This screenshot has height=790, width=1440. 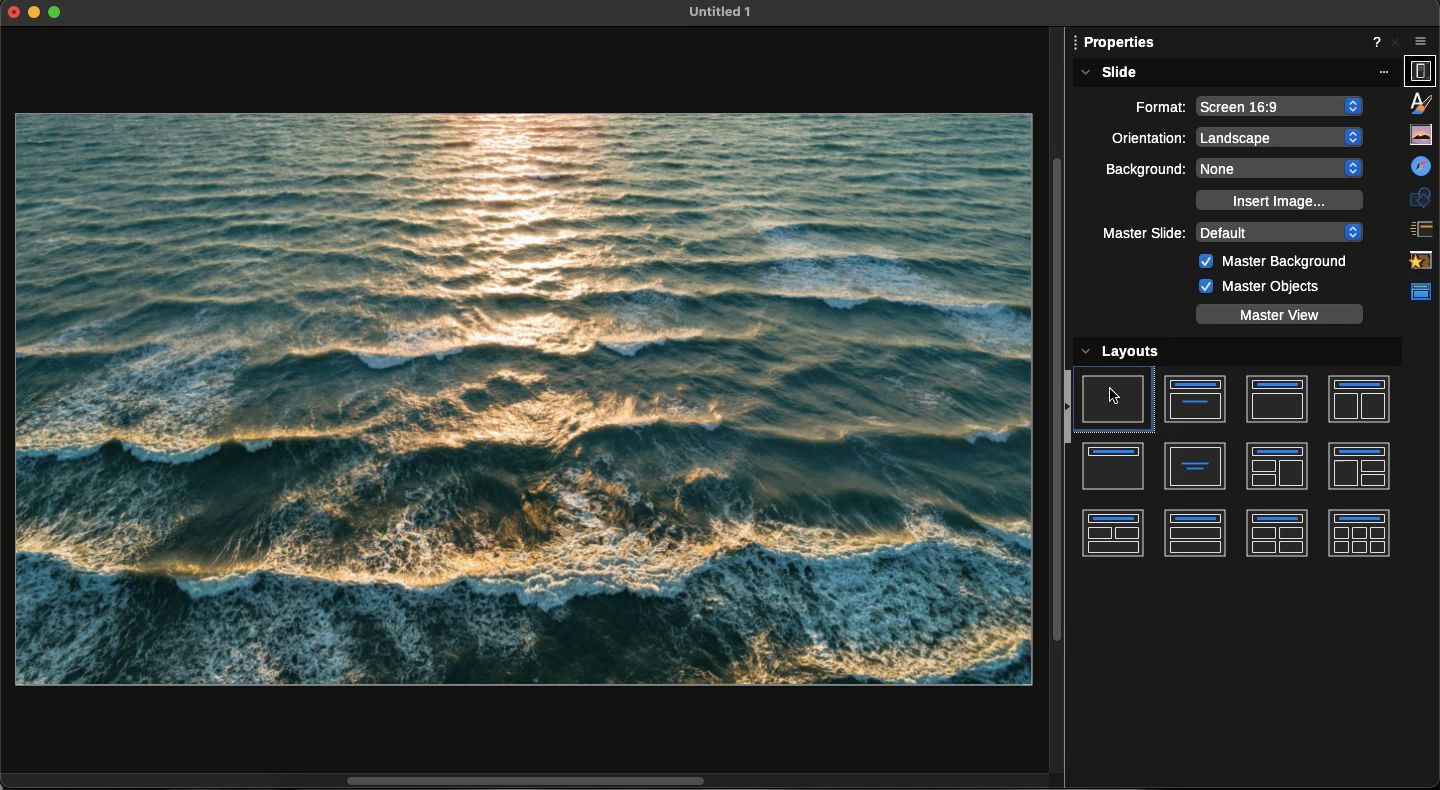 What do you see at coordinates (1058, 391) in the screenshot?
I see `Scrollbar` at bounding box center [1058, 391].